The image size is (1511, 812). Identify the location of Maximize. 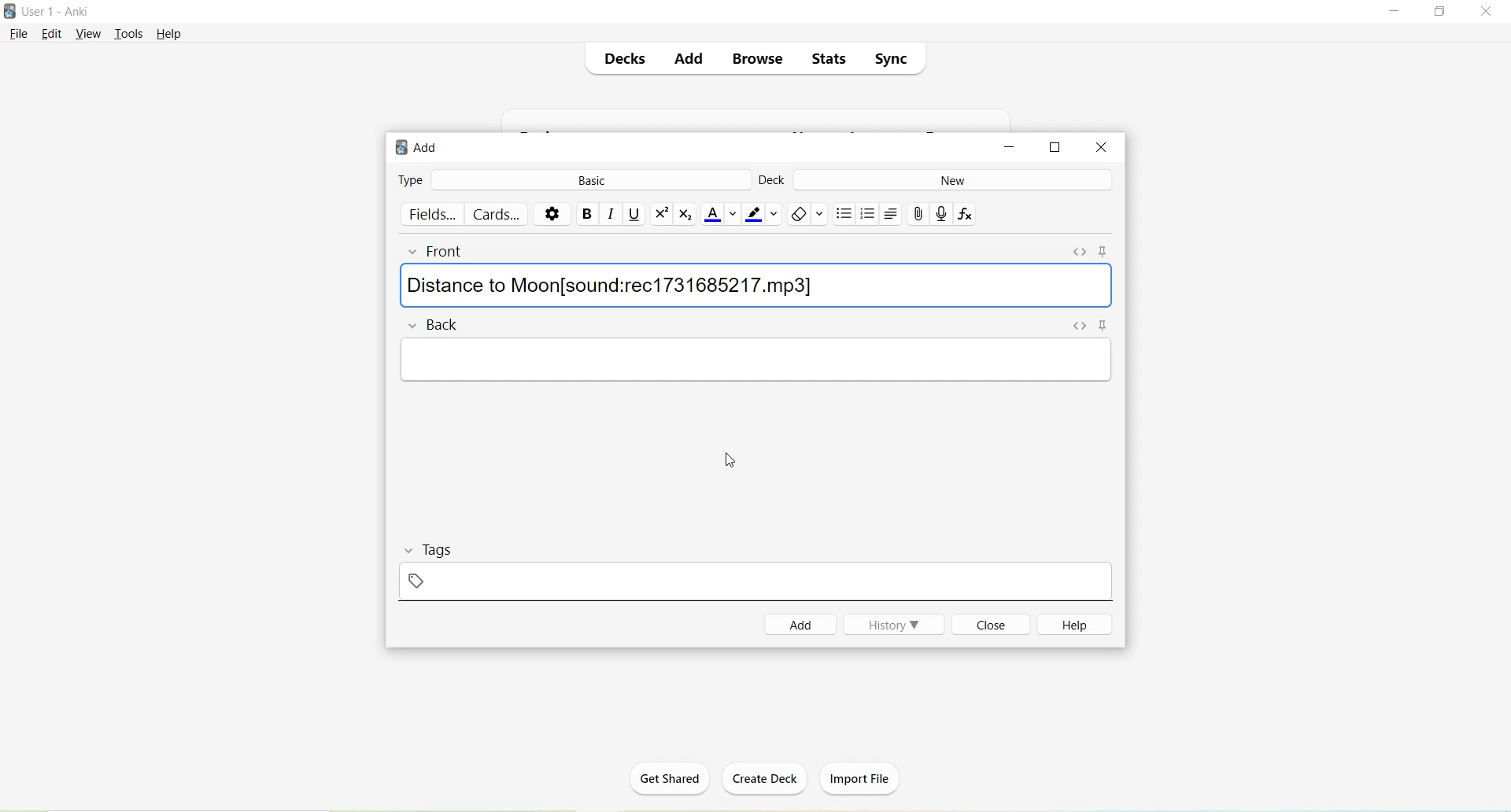
(1440, 12).